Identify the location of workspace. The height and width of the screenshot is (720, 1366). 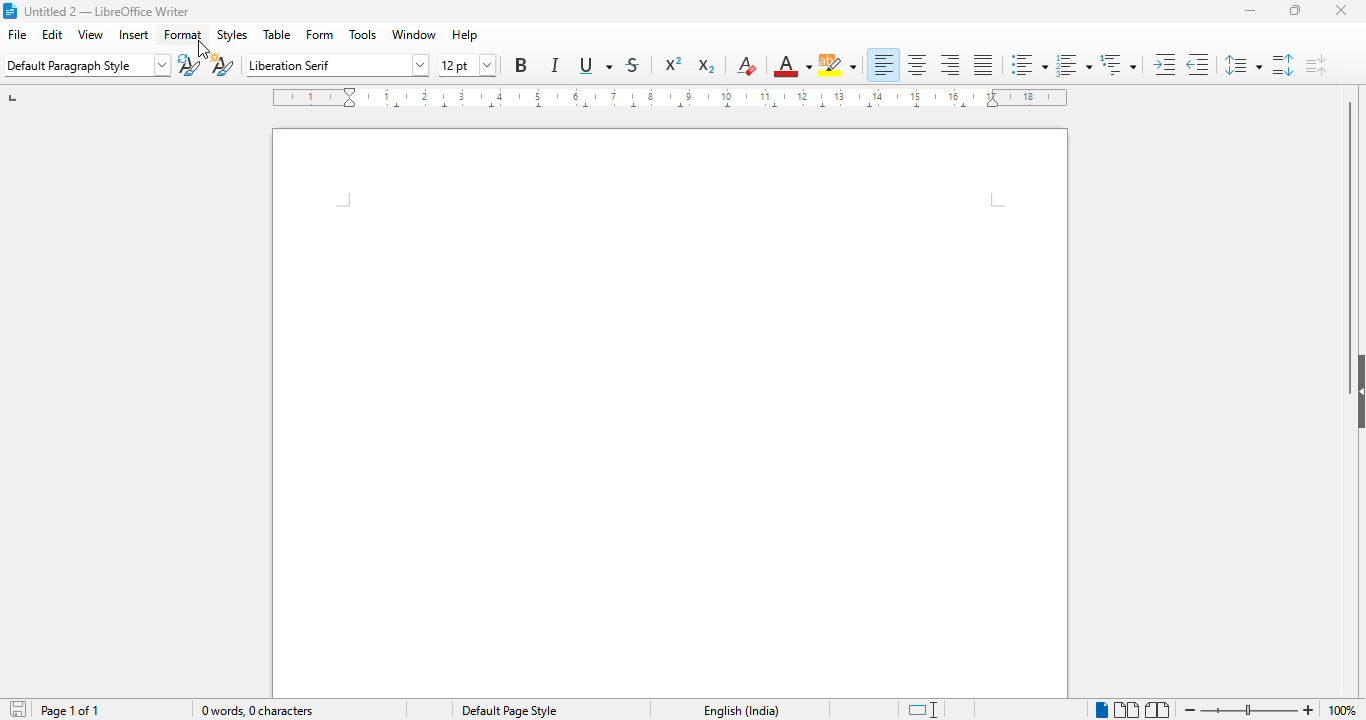
(671, 411).